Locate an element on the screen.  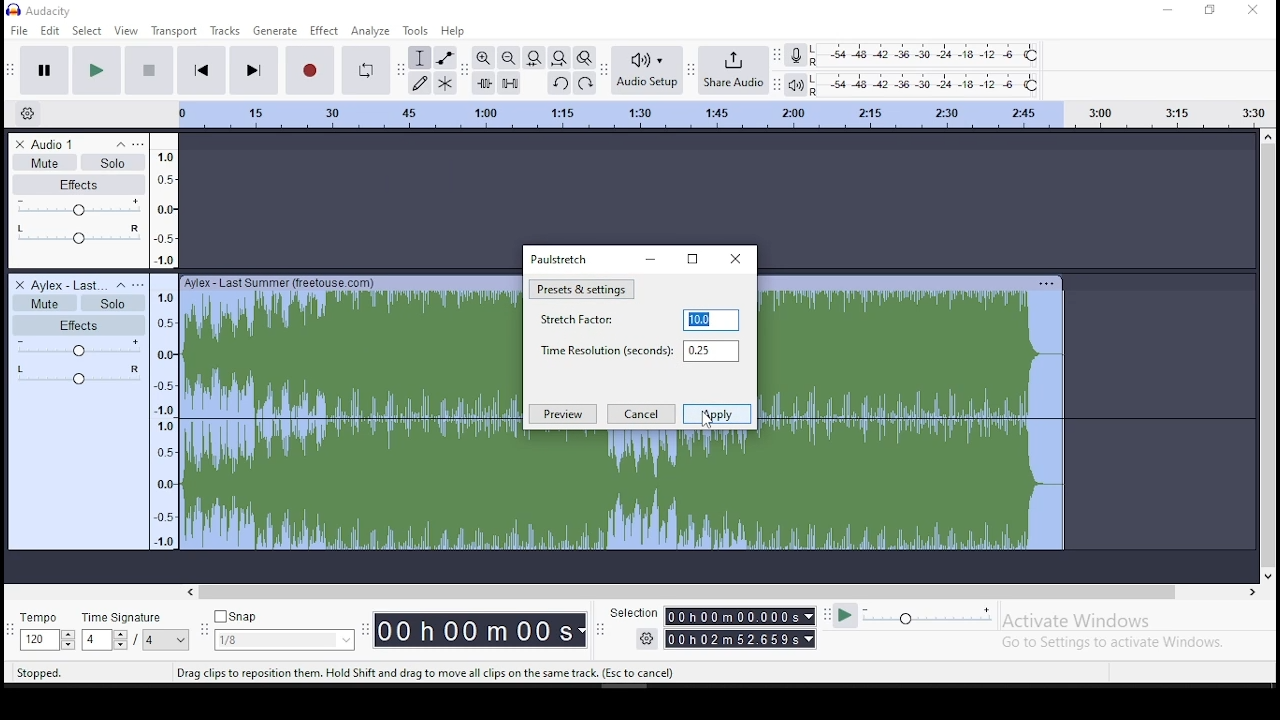
envelope tool is located at coordinates (444, 58).